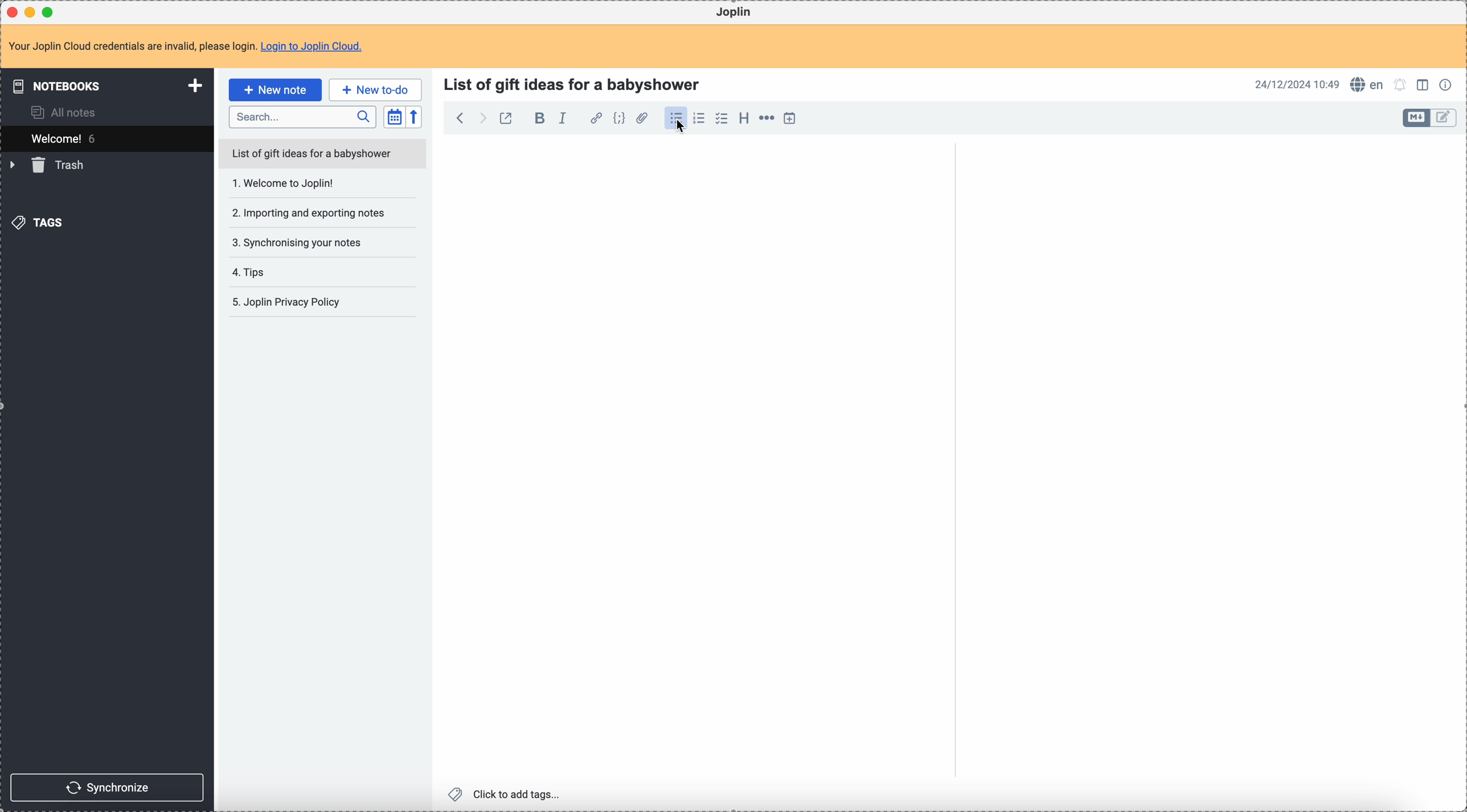  Describe the element at coordinates (702, 119) in the screenshot. I see `numbered list` at that location.